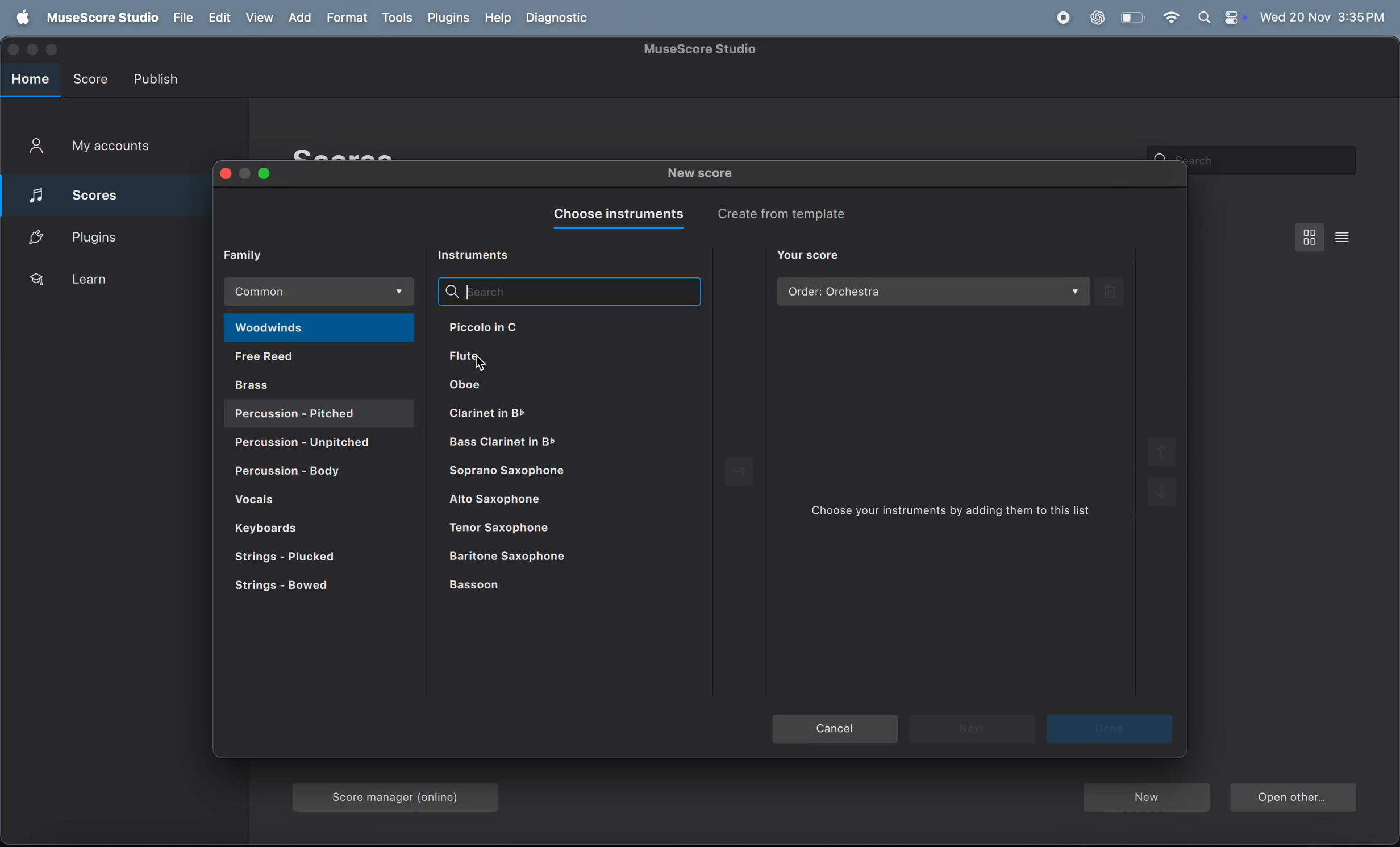 Image resolution: width=1400 pixels, height=847 pixels. Describe the element at coordinates (322, 292) in the screenshot. I see `common` at that location.